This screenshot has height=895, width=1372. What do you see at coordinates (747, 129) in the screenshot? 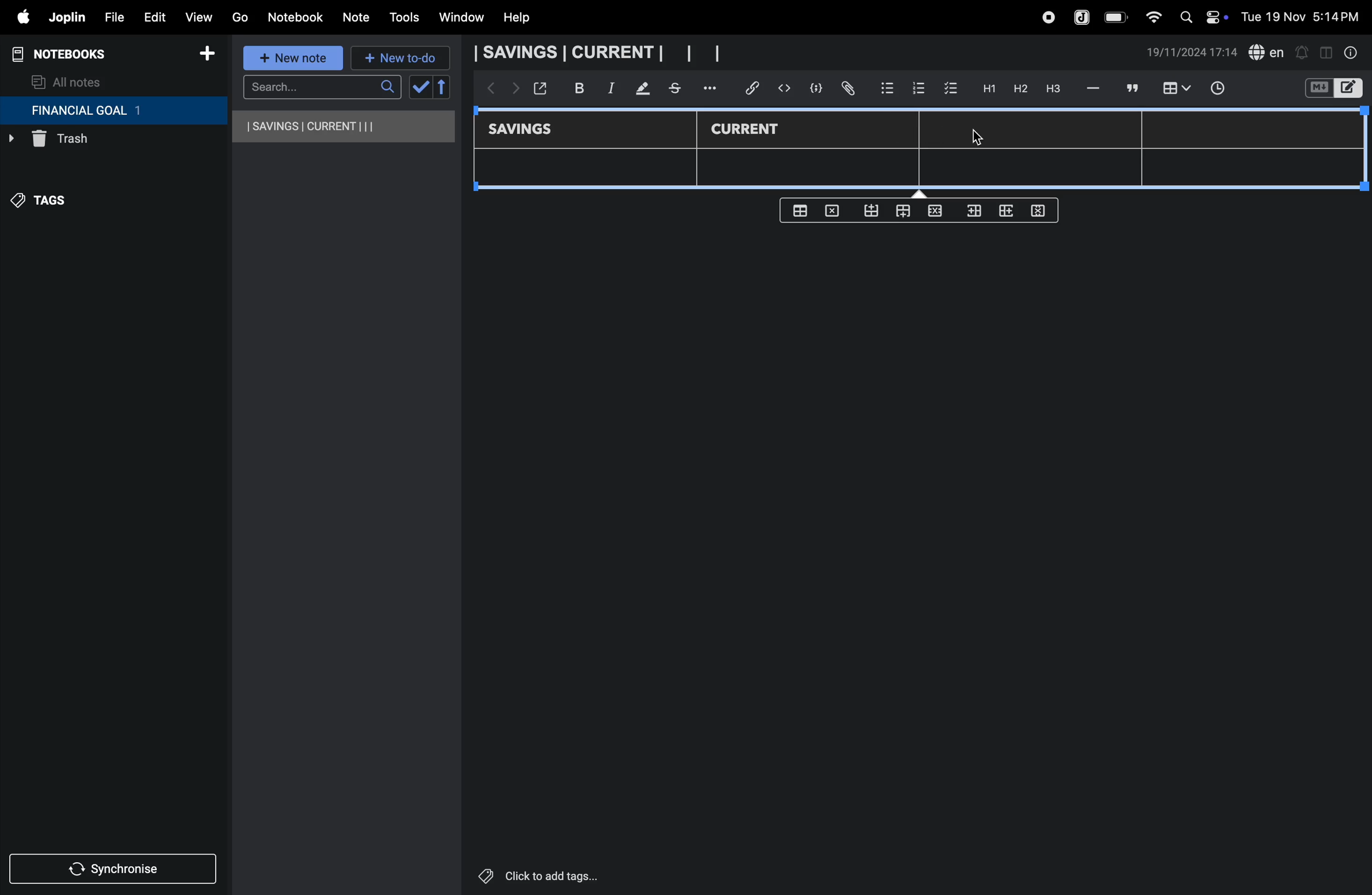
I see `current` at bounding box center [747, 129].